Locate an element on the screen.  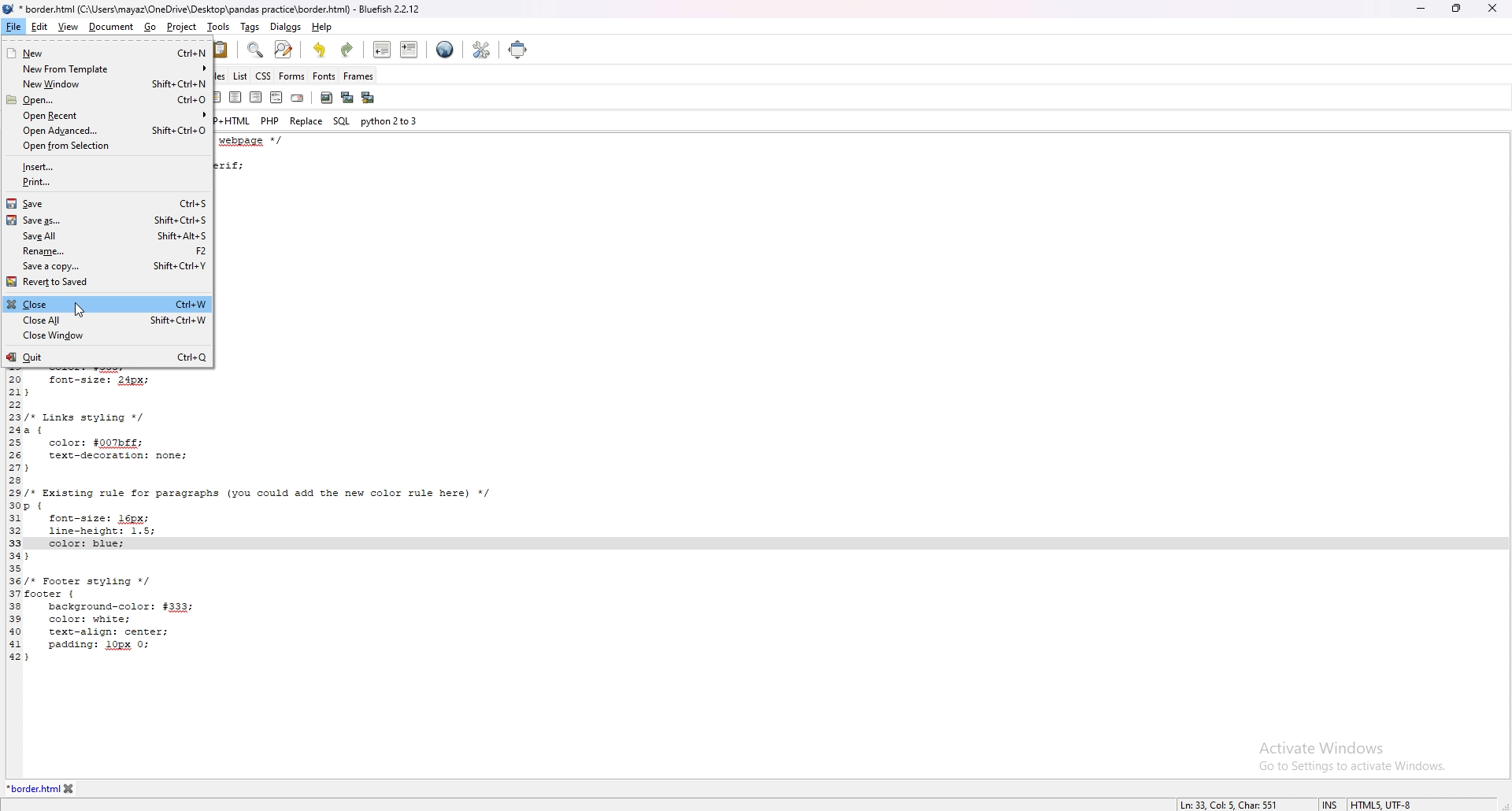
view is located at coordinates (70, 26).